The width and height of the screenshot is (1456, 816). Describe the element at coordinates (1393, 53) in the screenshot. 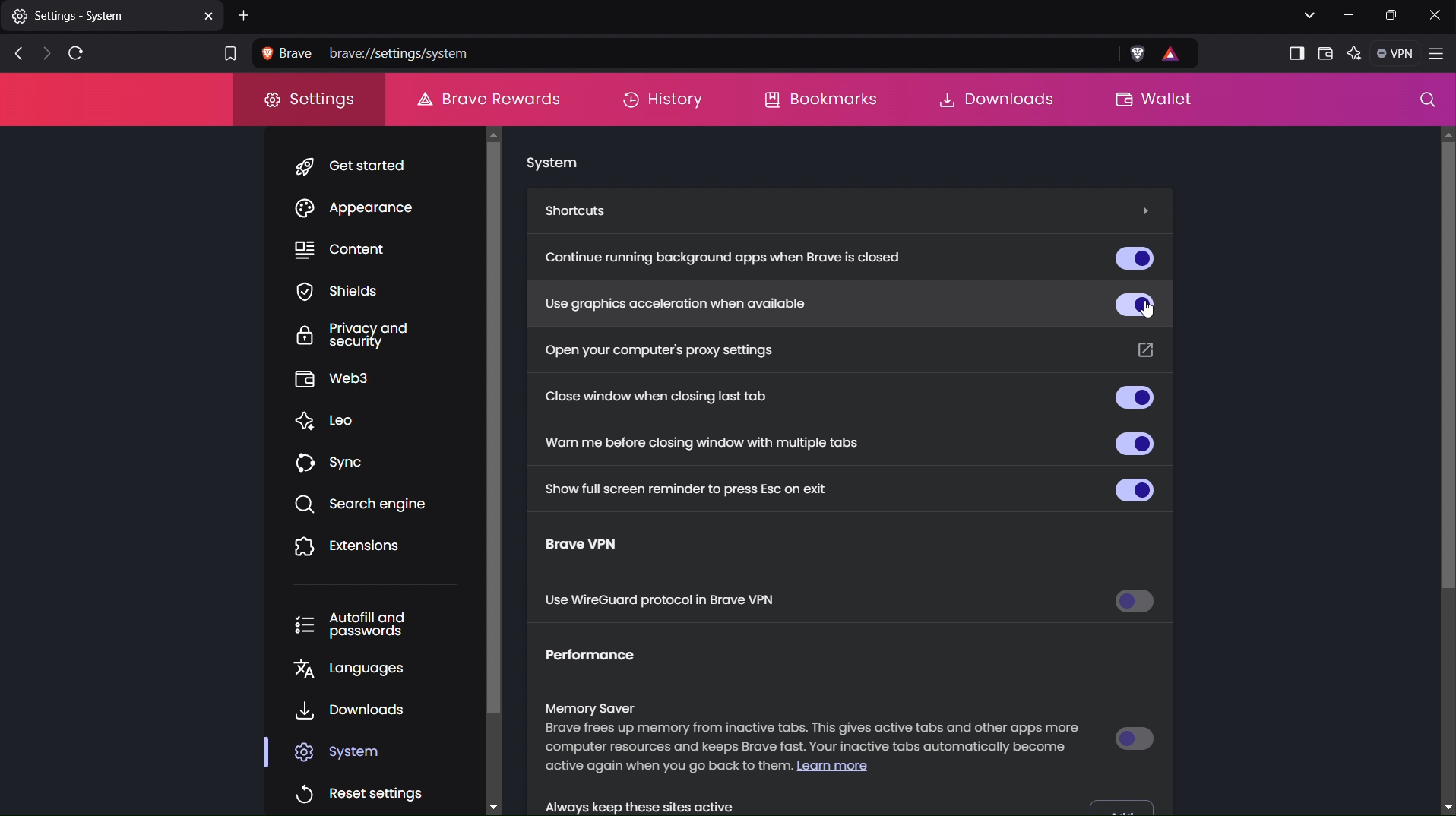

I see `VPN` at that location.